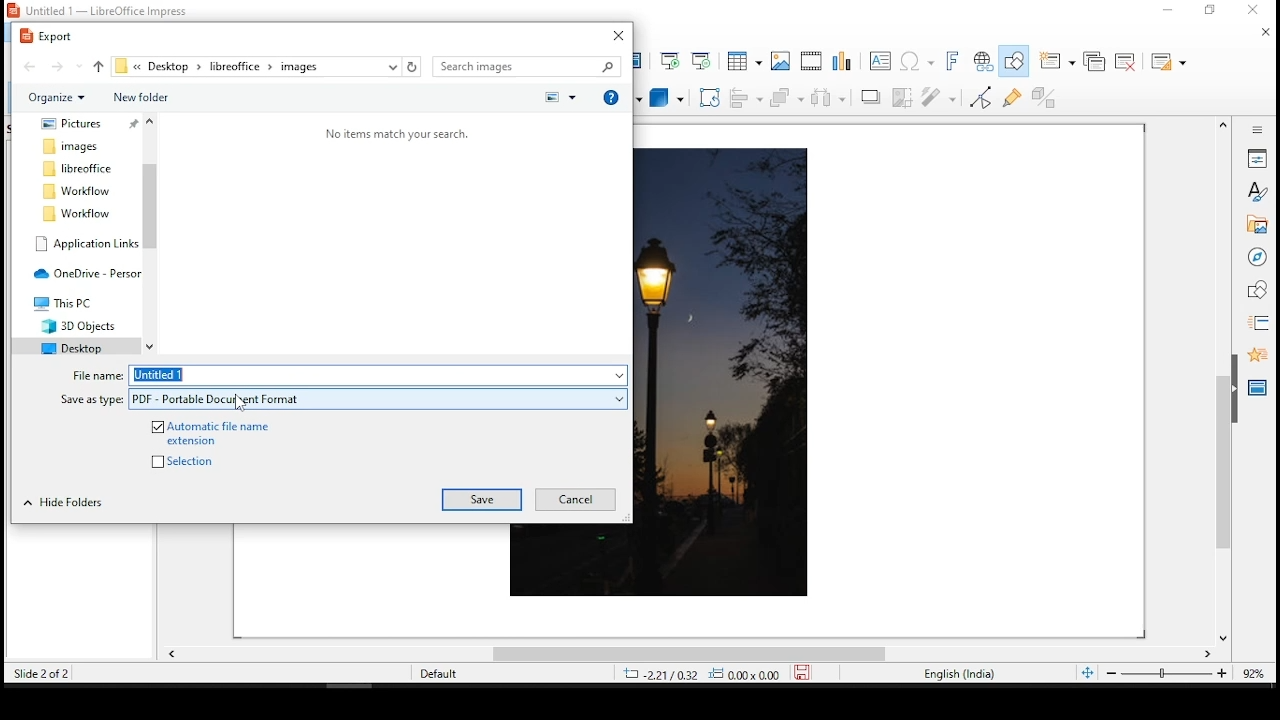 The width and height of the screenshot is (1280, 720). Describe the element at coordinates (955, 59) in the screenshot. I see `fontwork text` at that location.